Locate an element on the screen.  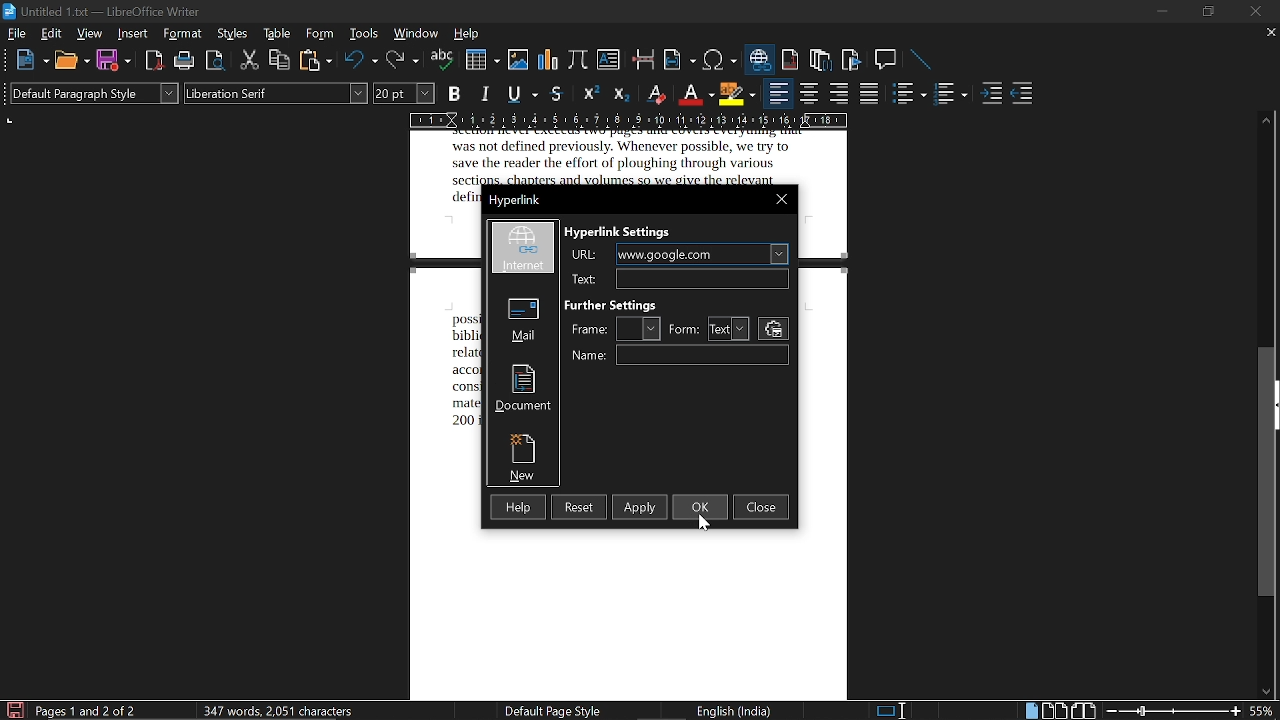
save is located at coordinates (13, 710).